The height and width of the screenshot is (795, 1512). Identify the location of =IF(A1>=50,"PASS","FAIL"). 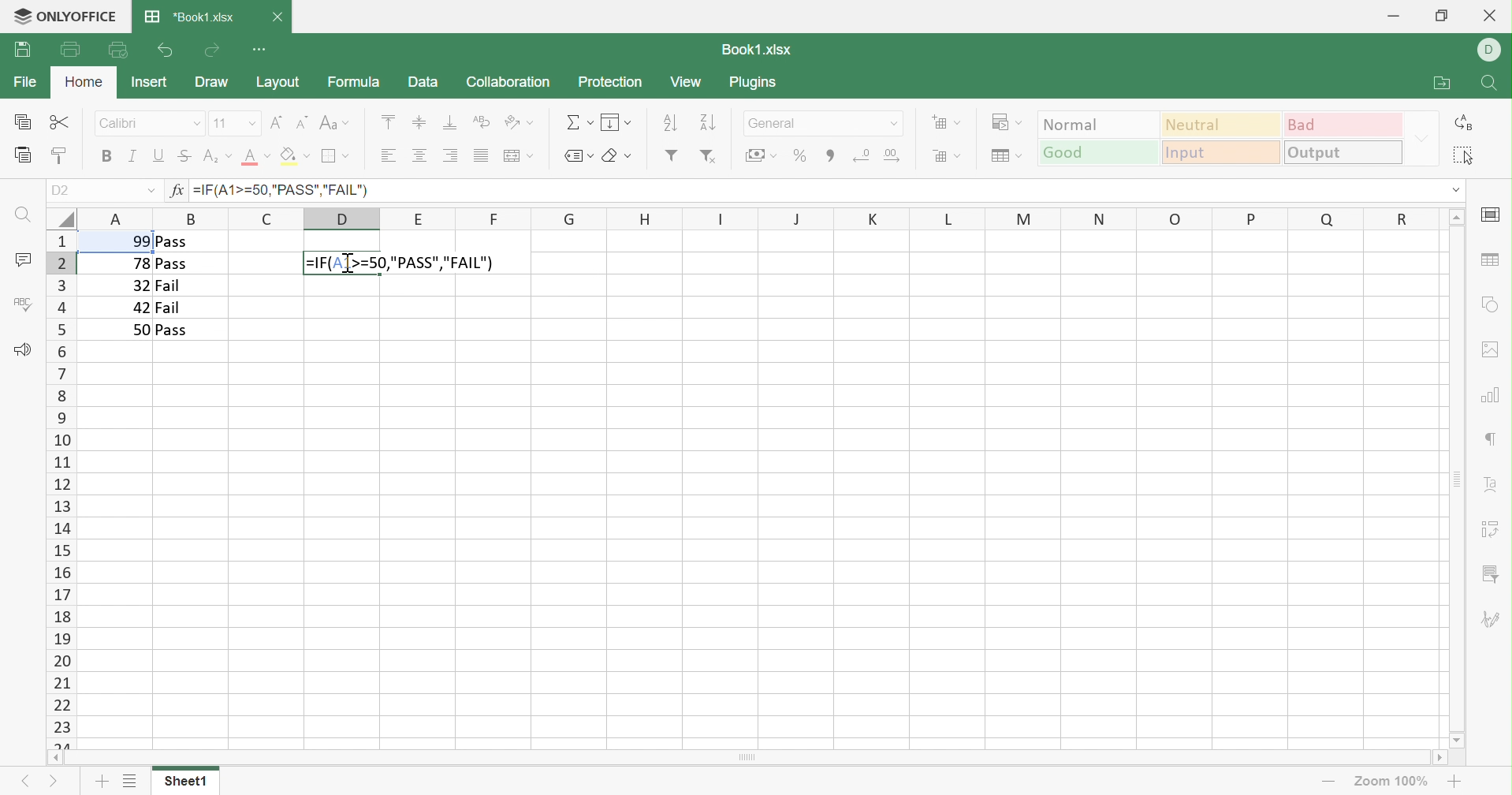
(281, 192).